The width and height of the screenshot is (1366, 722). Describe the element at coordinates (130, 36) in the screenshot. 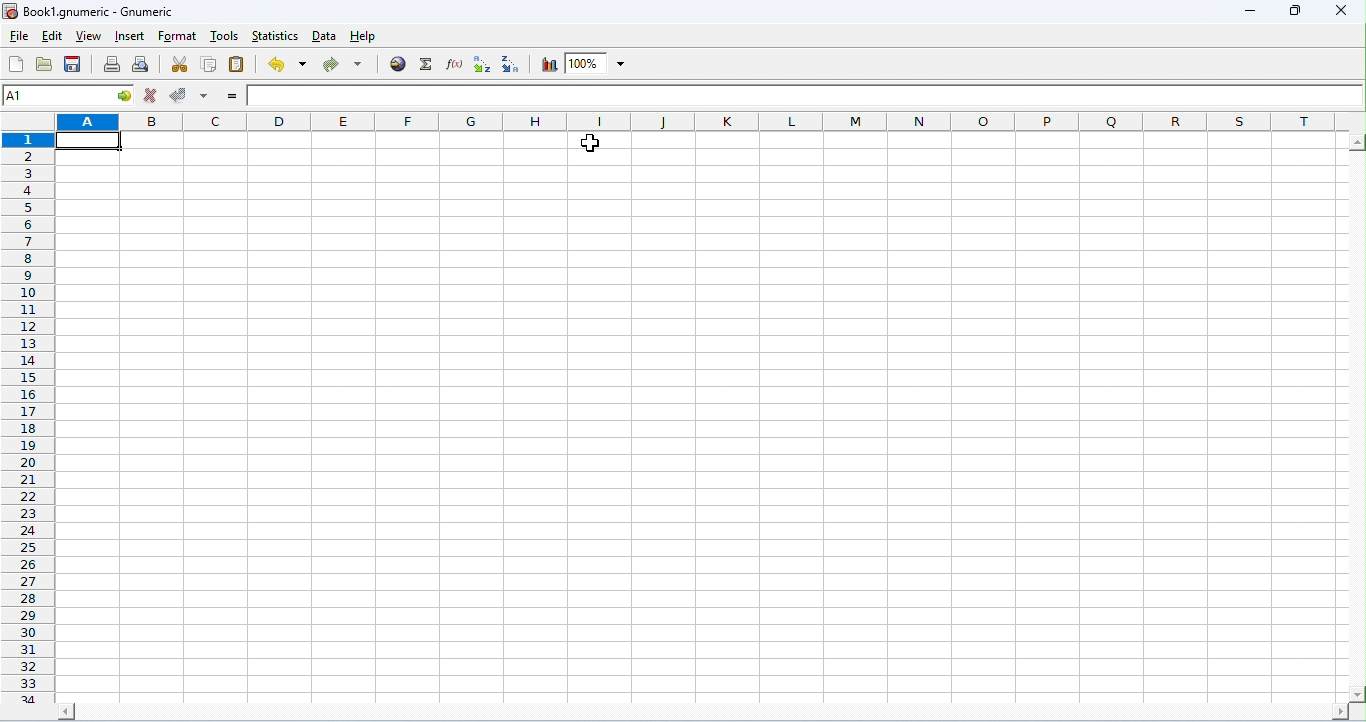

I see `insert` at that location.